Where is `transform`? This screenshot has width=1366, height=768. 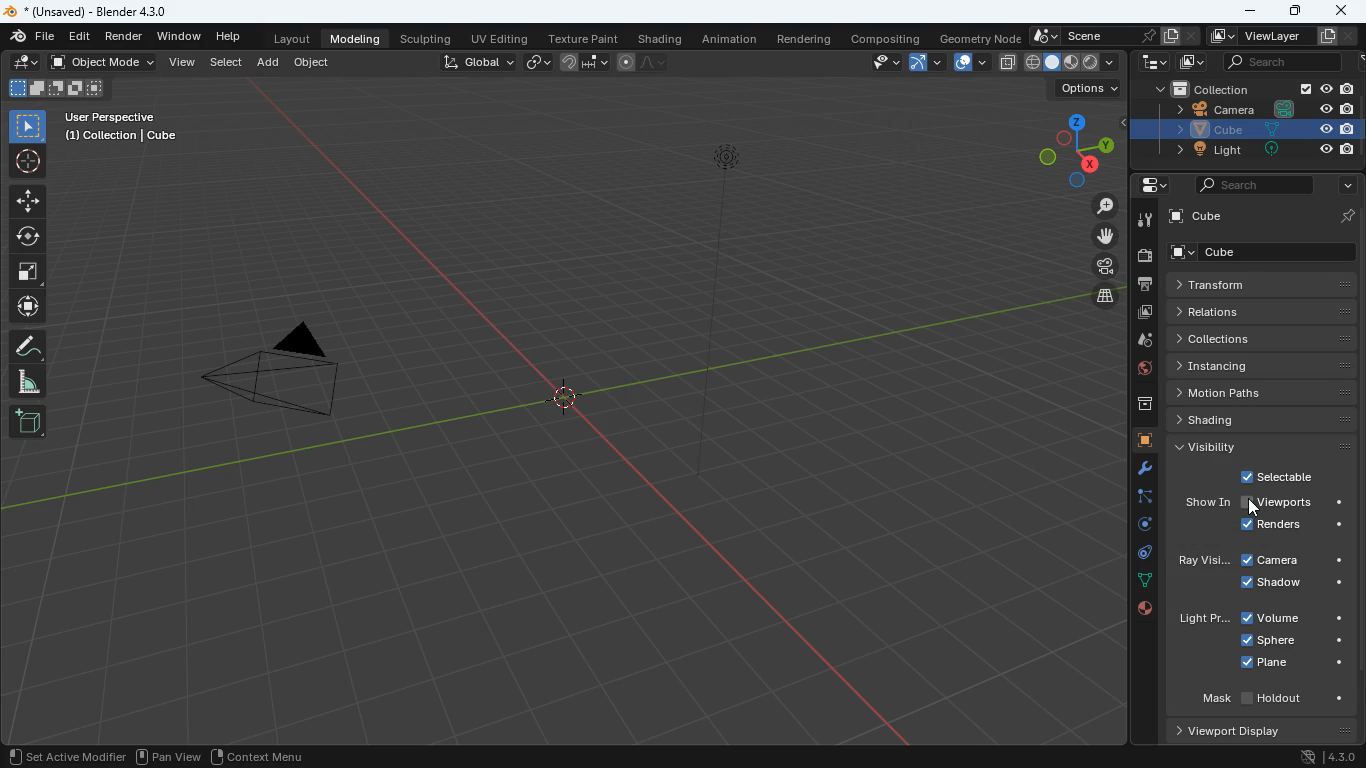 transform is located at coordinates (1256, 284).